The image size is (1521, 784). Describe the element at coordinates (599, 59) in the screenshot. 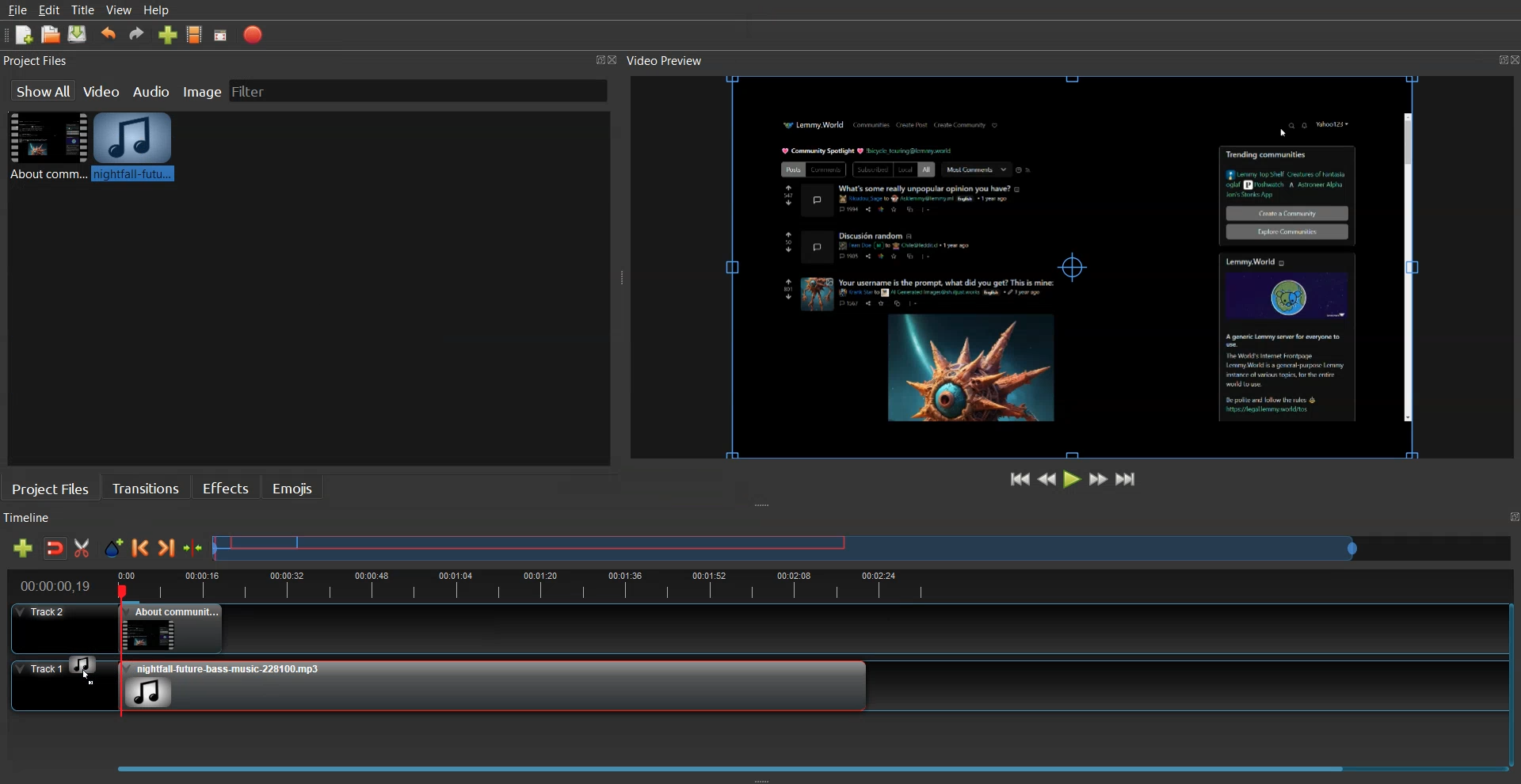

I see `Maximize` at that location.